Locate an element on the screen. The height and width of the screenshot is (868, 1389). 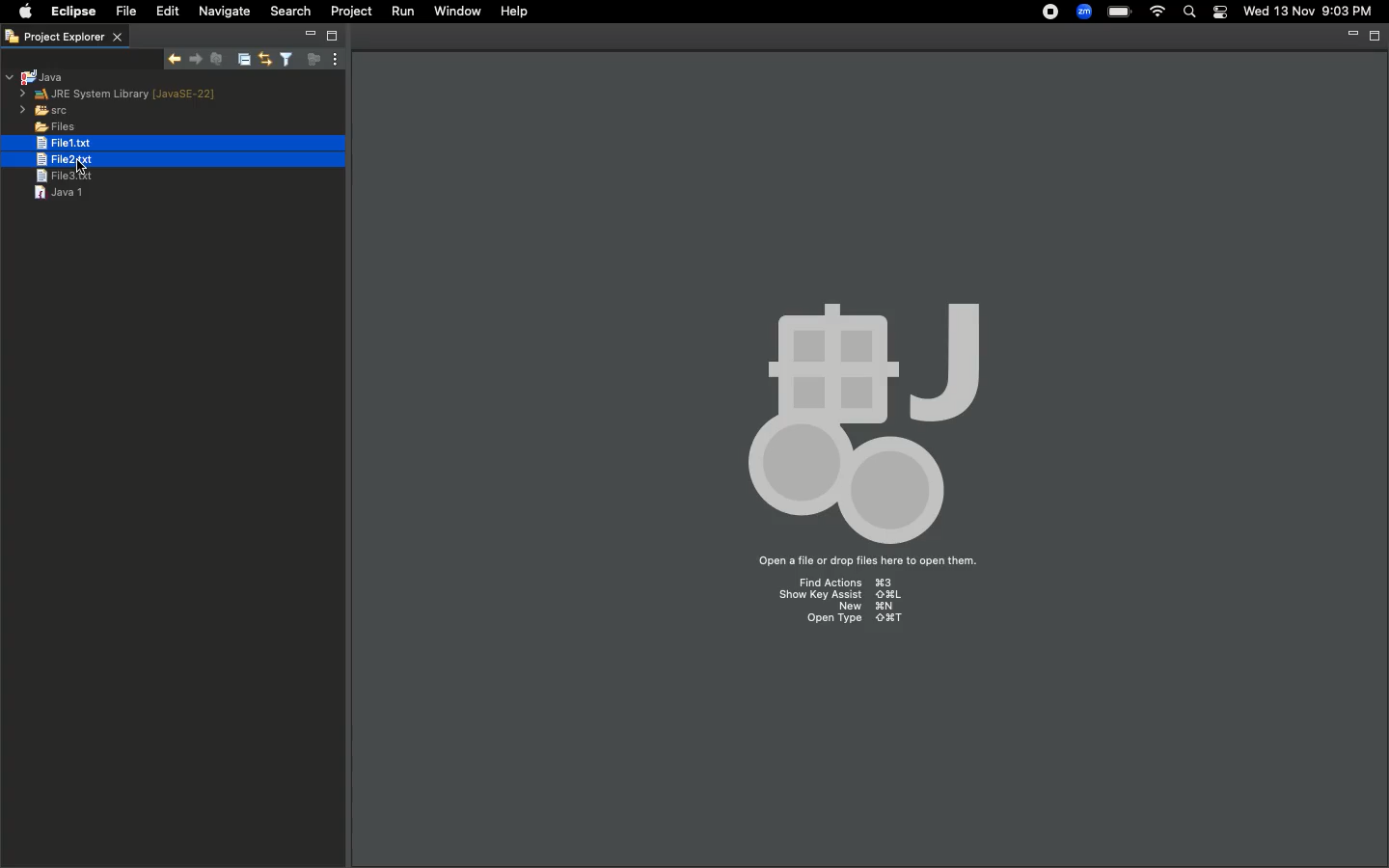
Files is located at coordinates (43, 125).